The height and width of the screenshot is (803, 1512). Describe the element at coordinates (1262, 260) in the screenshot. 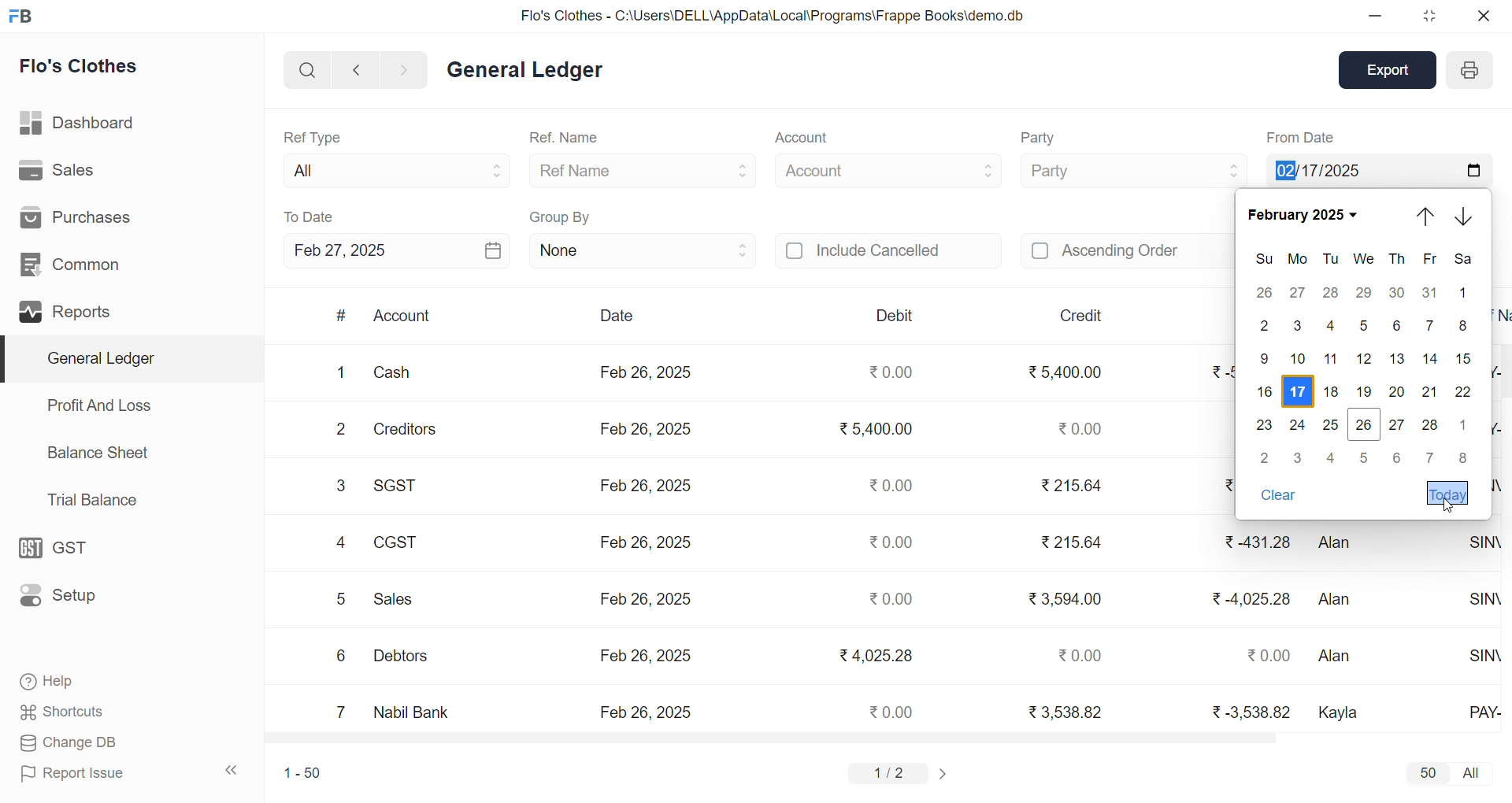

I see `Su` at that location.